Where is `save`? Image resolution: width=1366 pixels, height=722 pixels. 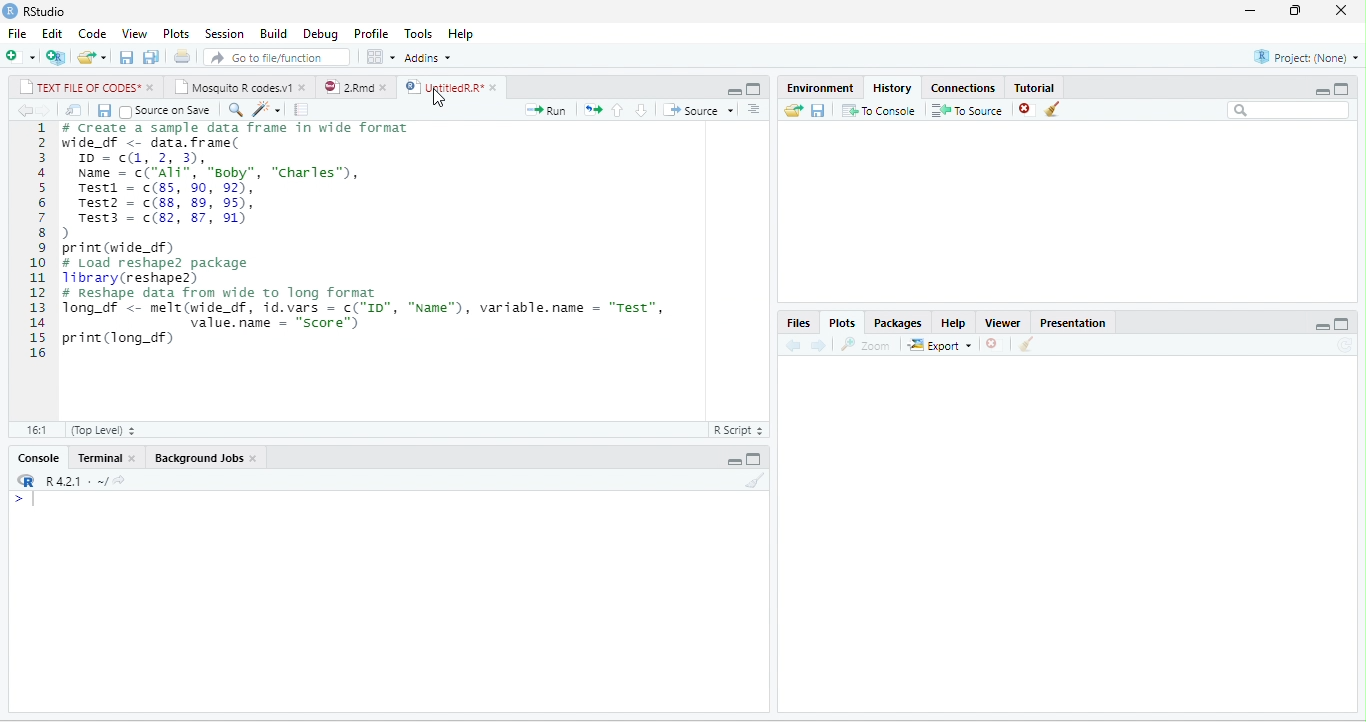
save is located at coordinates (128, 57).